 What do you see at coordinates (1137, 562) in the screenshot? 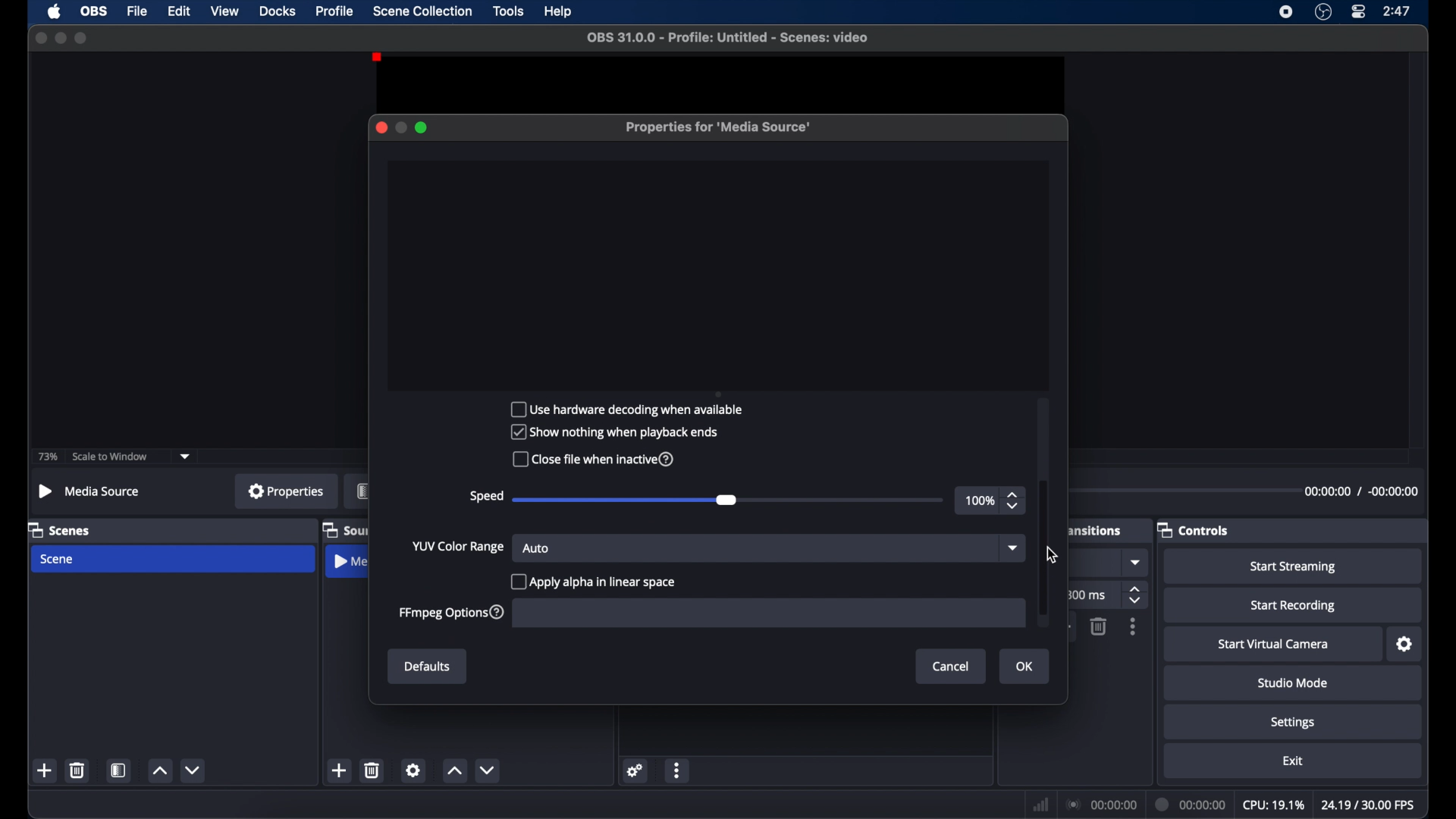
I see `dropdown` at bounding box center [1137, 562].